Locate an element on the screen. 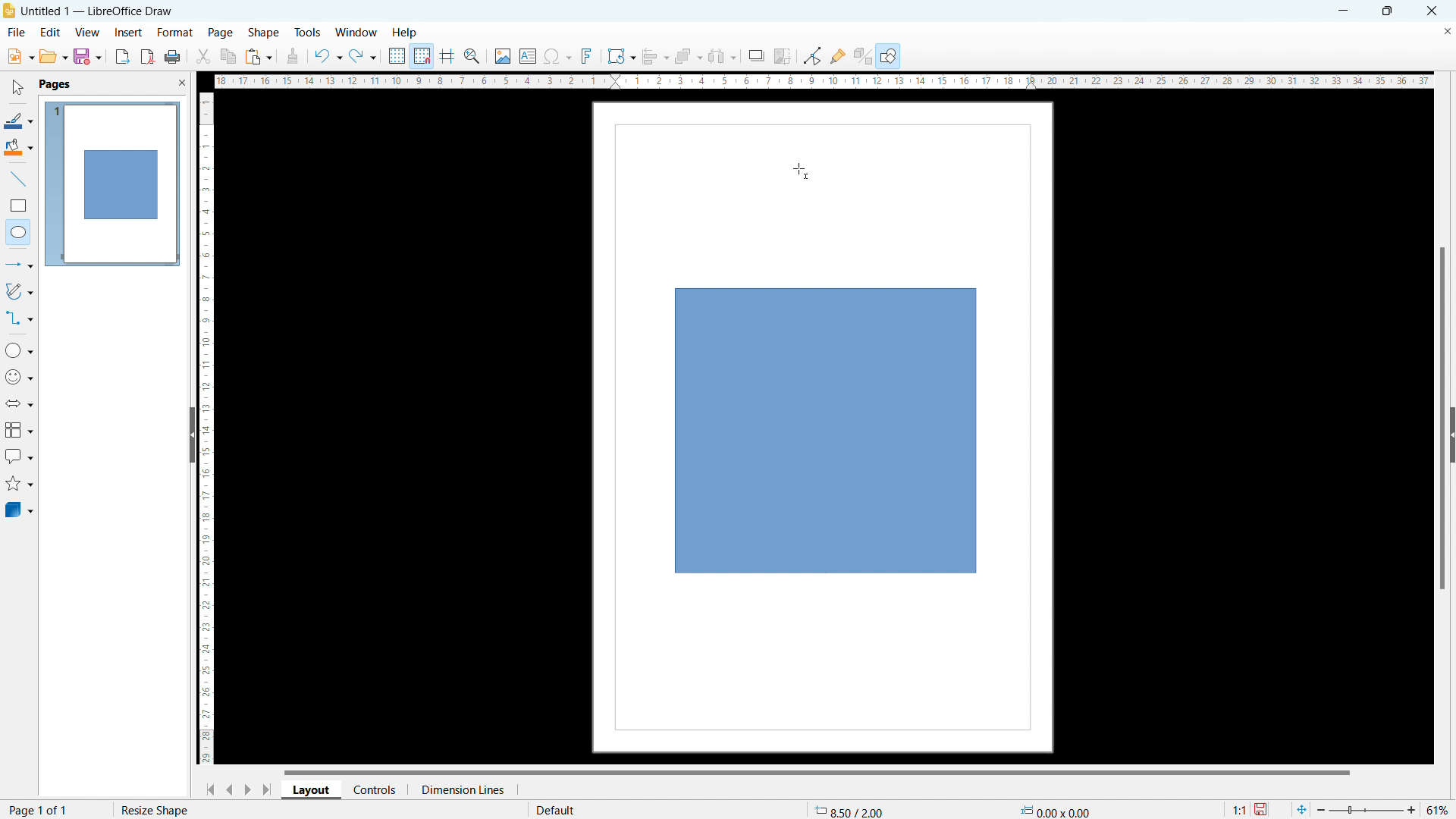 This screenshot has height=819, width=1456. arrange is located at coordinates (688, 57).